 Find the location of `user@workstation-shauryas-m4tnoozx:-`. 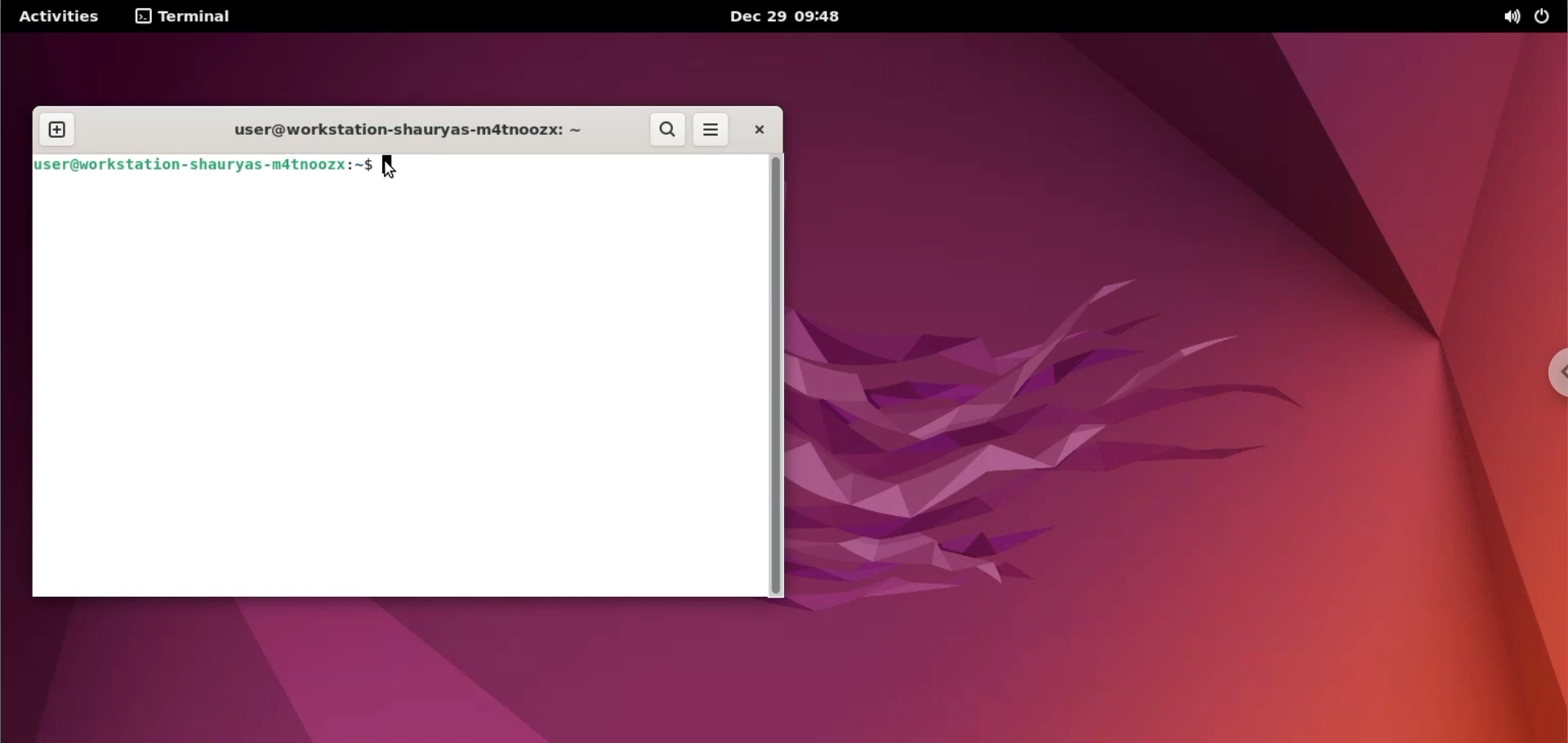

user@workstation-shauryas-m4tnoozx:- is located at coordinates (405, 130).